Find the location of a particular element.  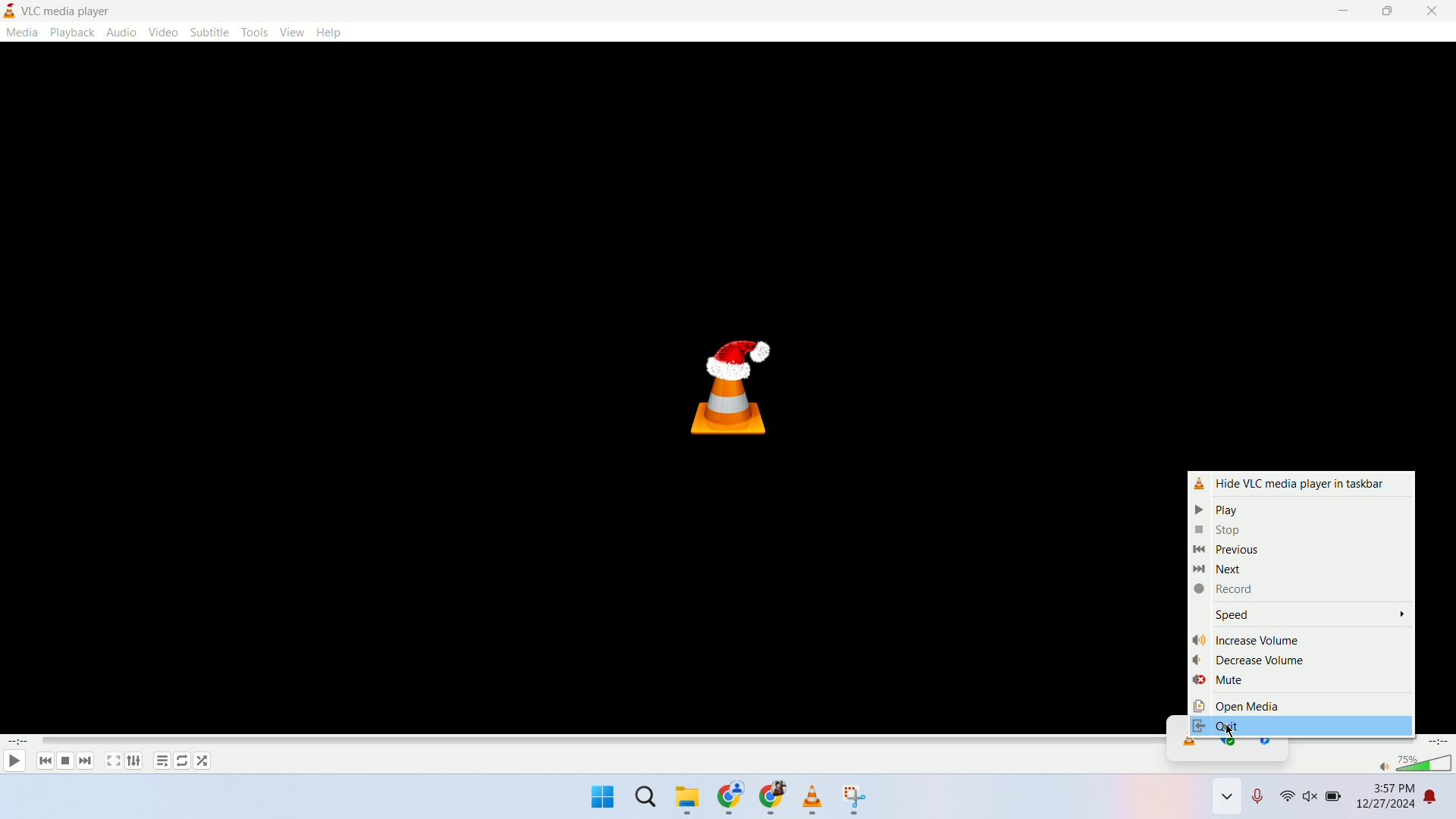

maximize is located at coordinates (1388, 11).